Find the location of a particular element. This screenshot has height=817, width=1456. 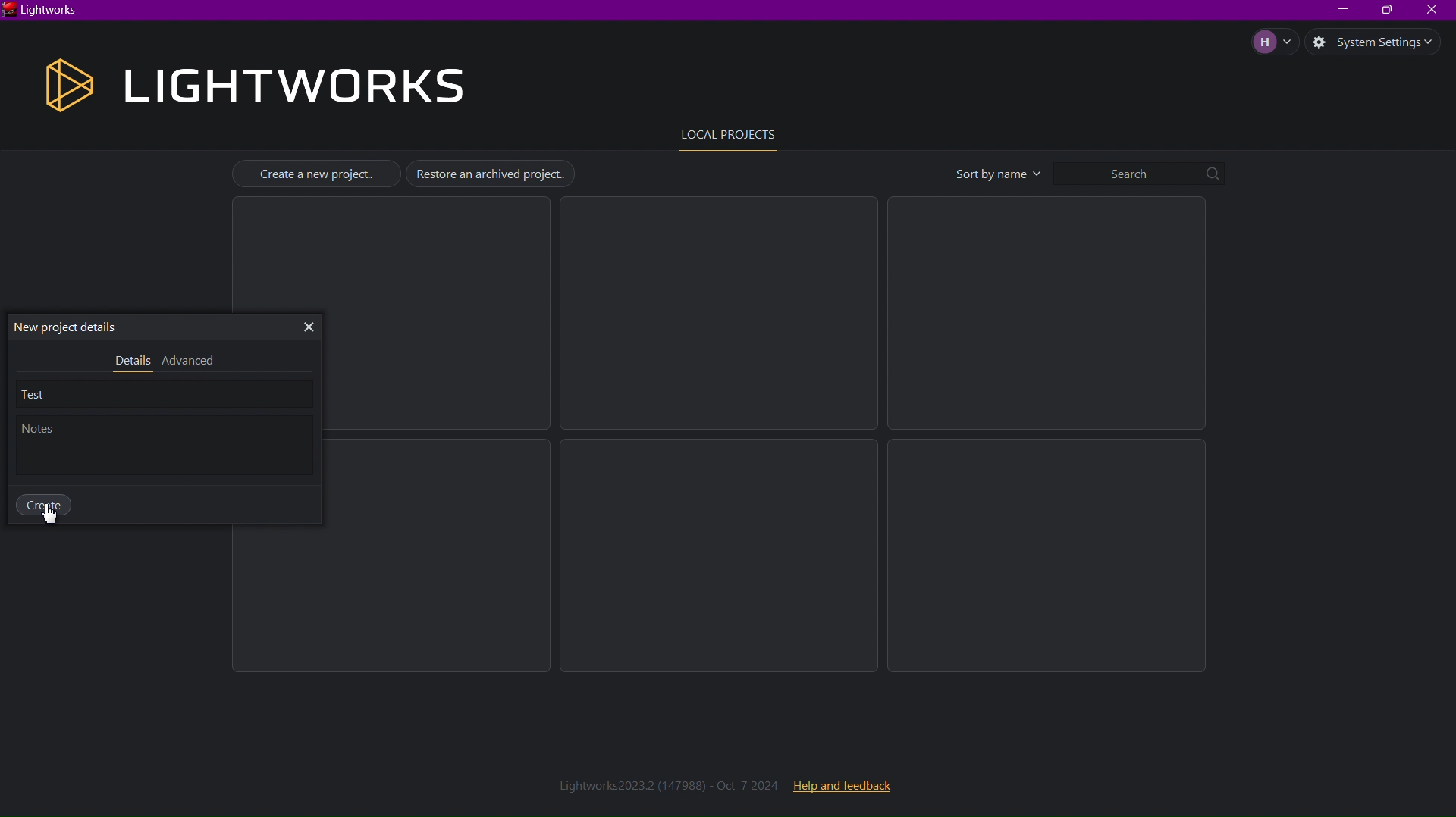

Local Projects is located at coordinates (725, 136).